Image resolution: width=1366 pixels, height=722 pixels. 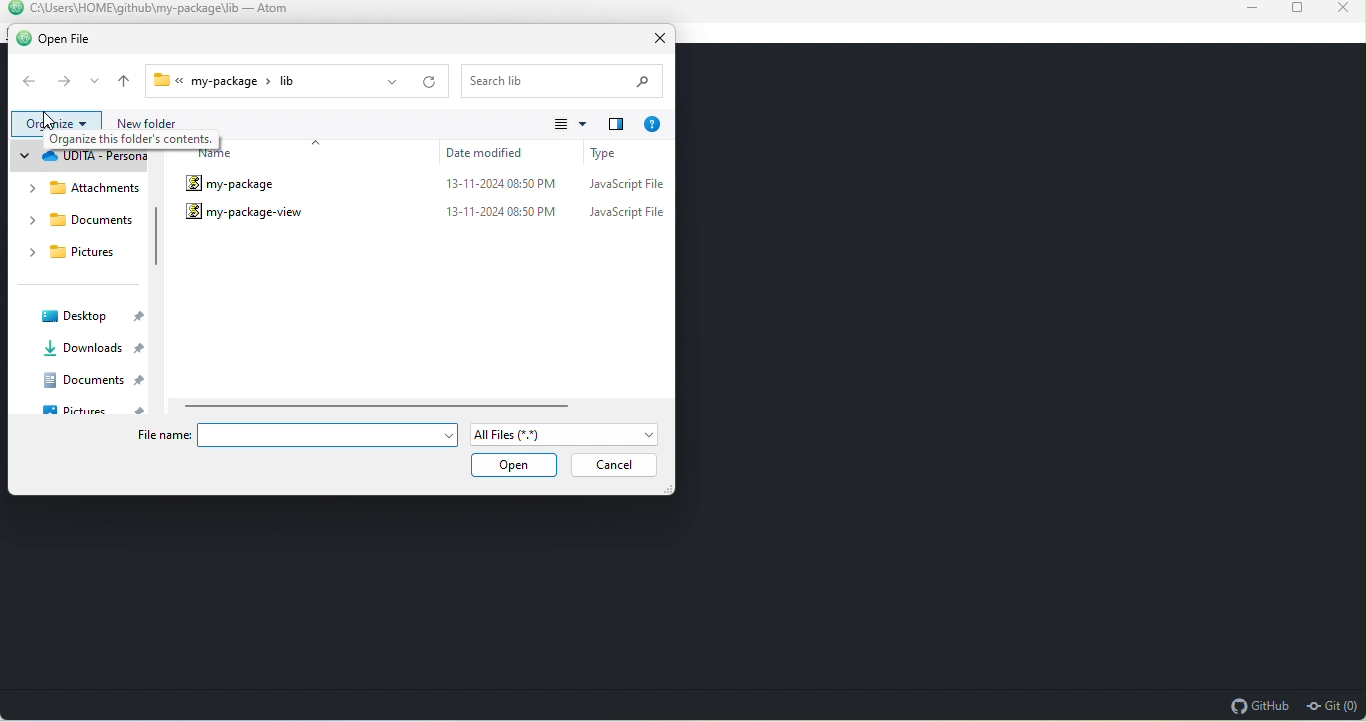 What do you see at coordinates (267, 8) in the screenshot?
I see `- Atom` at bounding box center [267, 8].